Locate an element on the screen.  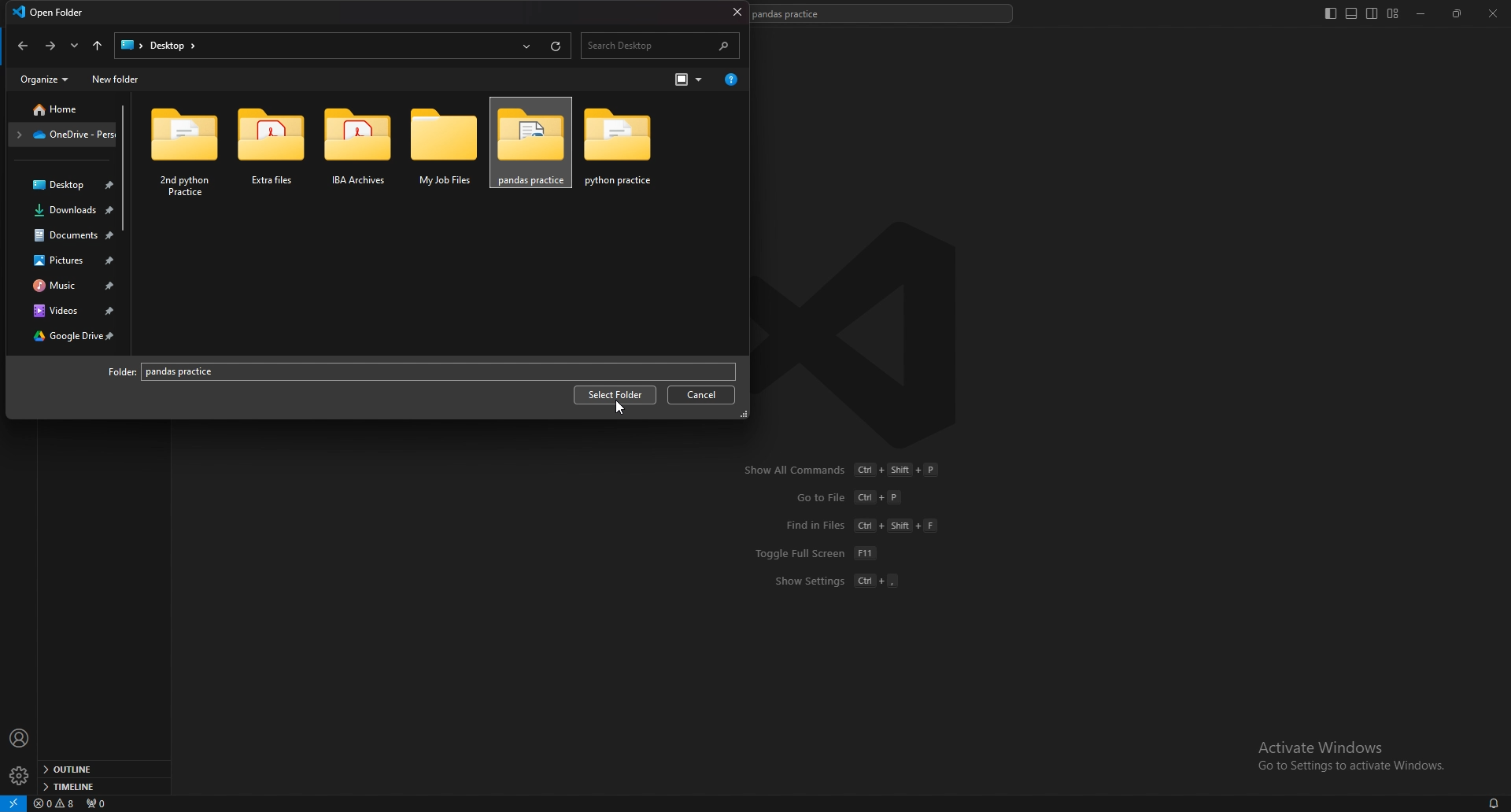
pictures folder is located at coordinates (68, 260).